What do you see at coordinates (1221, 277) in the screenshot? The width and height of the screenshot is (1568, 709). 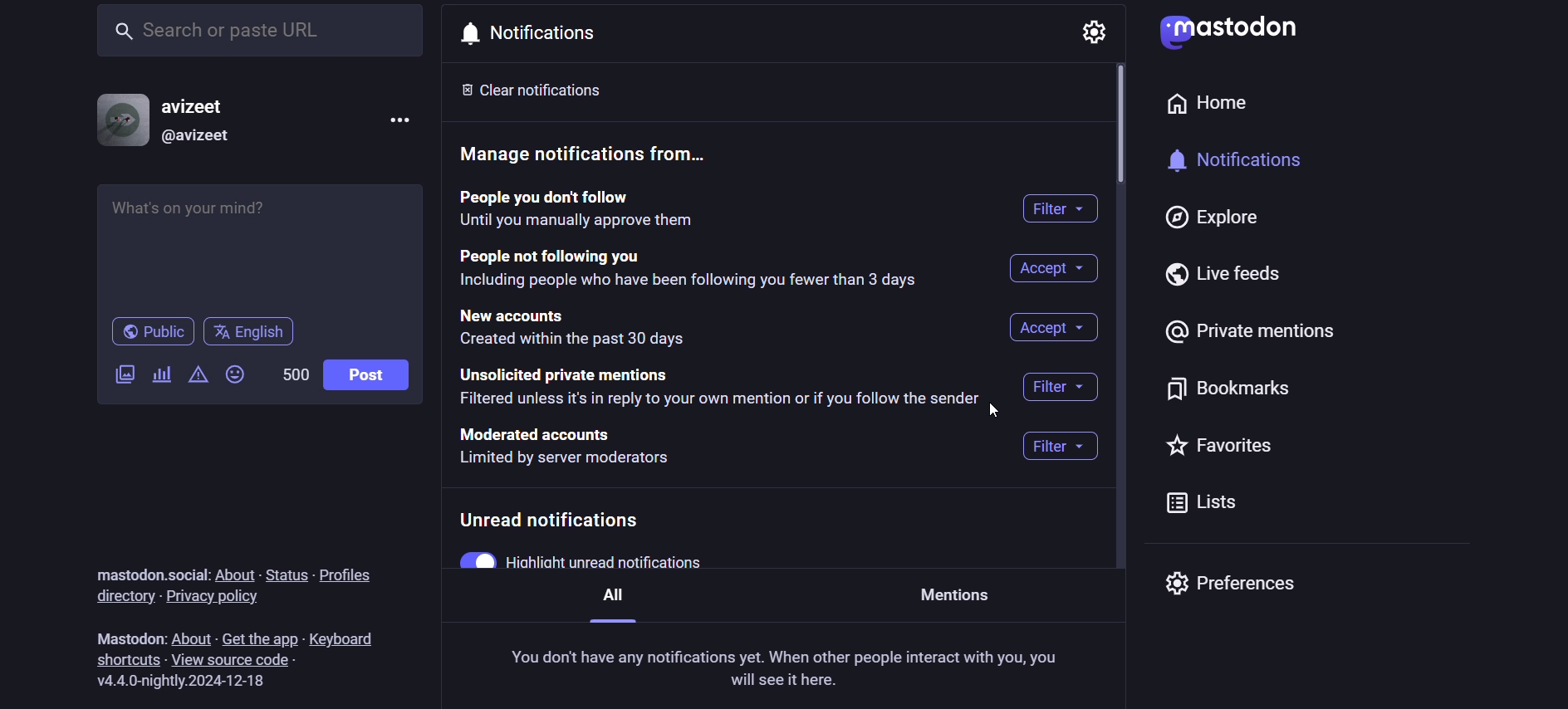 I see `live feeds` at bounding box center [1221, 277].